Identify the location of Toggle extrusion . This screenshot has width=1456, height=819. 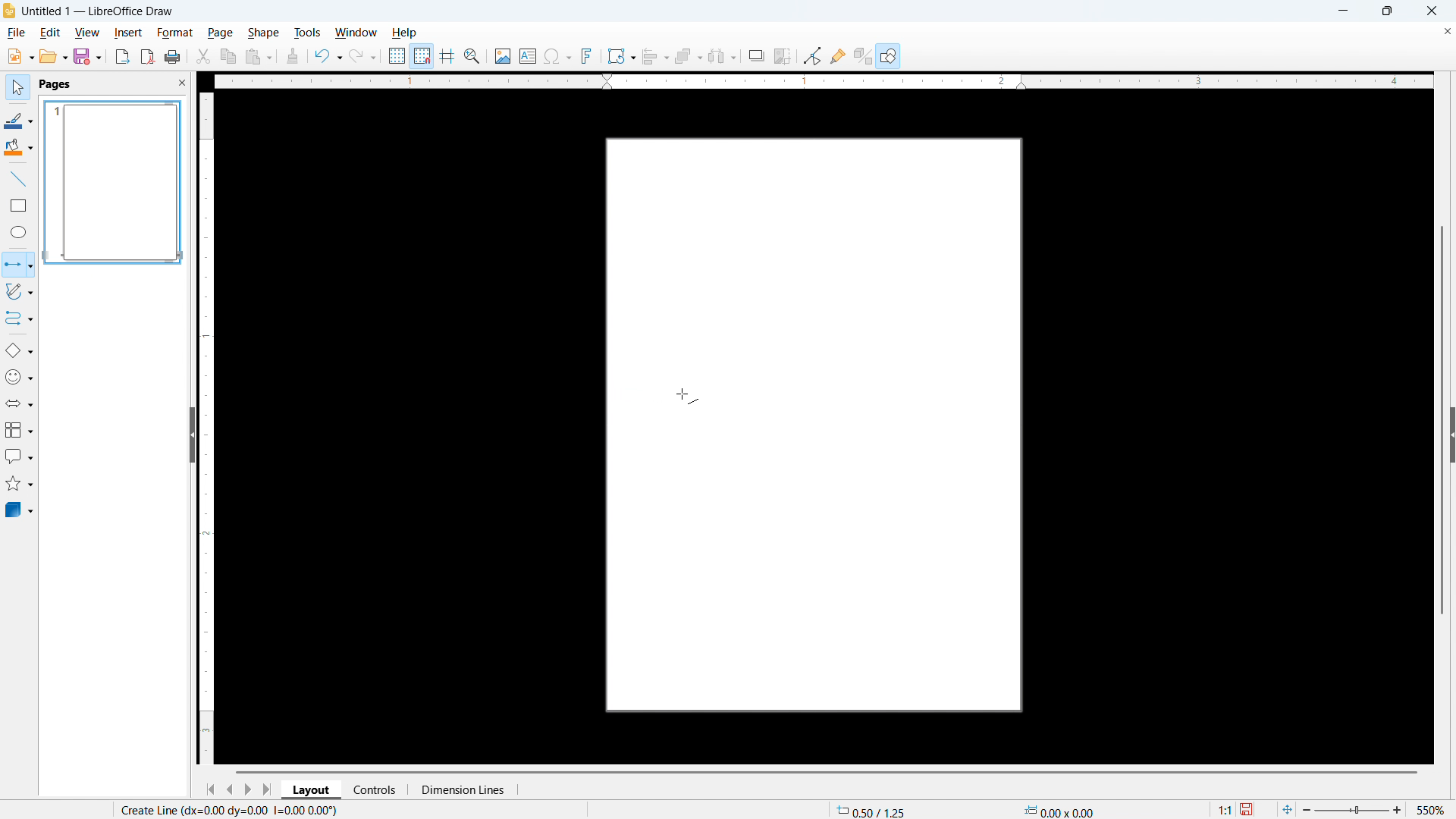
(863, 55).